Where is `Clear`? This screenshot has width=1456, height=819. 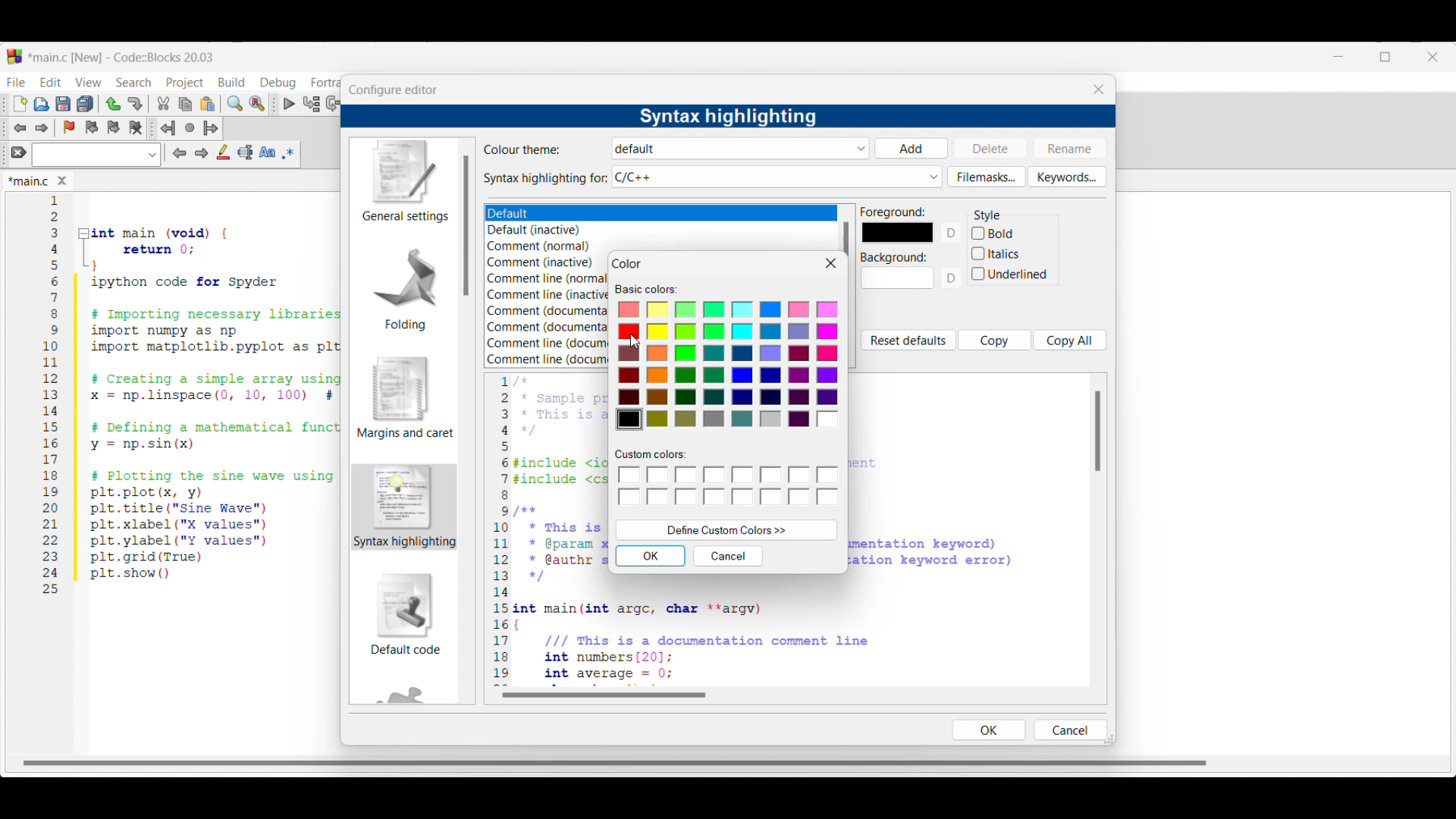
Clear is located at coordinates (19, 152).